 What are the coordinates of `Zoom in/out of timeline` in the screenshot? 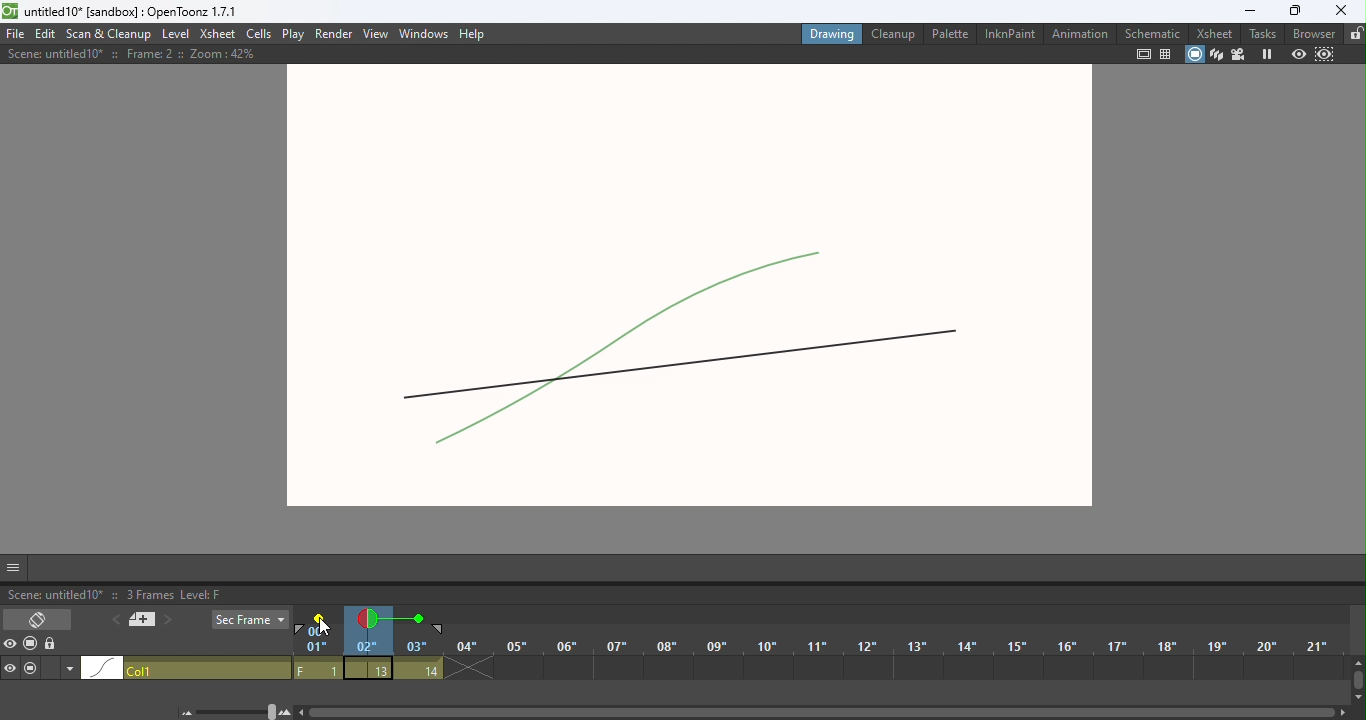 It's located at (238, 711).